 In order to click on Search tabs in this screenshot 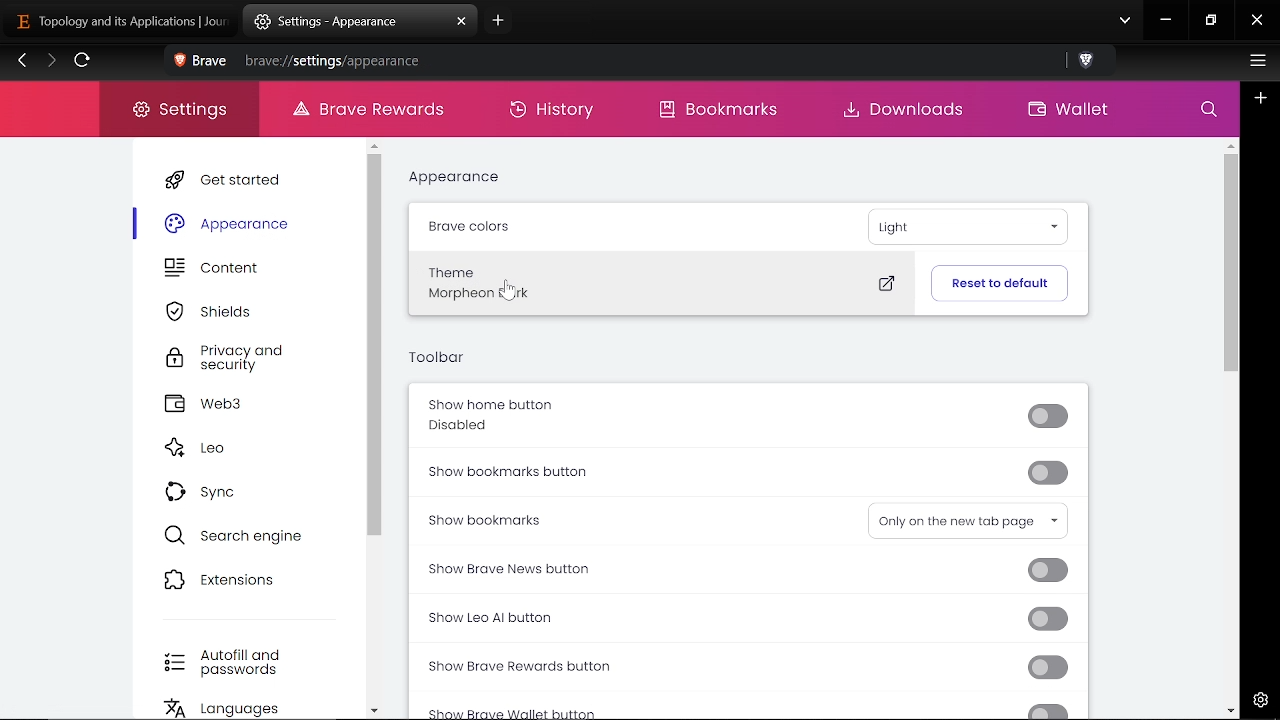, I will do `click(1125, 22)`.